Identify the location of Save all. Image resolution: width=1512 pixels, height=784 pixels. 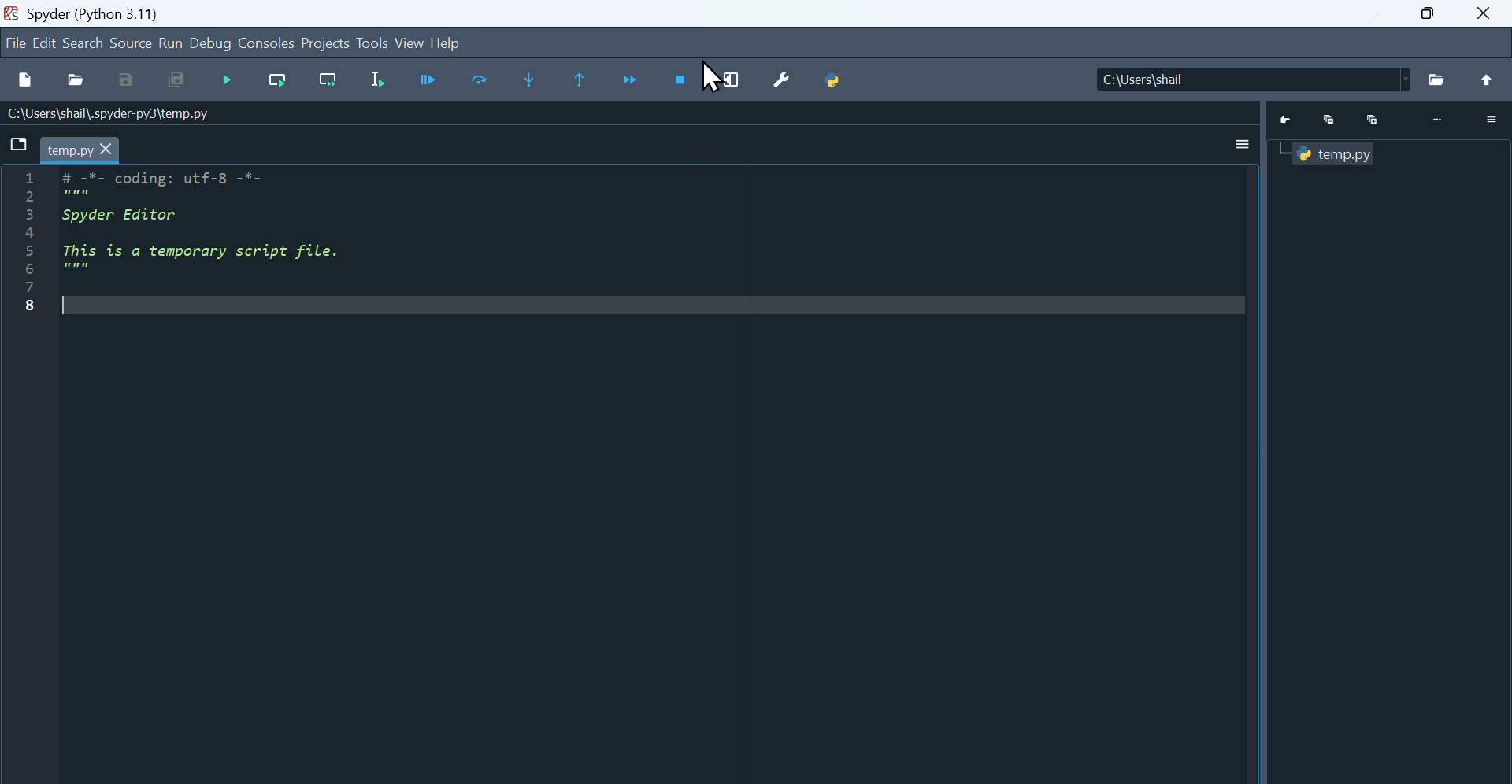
(180, 83).